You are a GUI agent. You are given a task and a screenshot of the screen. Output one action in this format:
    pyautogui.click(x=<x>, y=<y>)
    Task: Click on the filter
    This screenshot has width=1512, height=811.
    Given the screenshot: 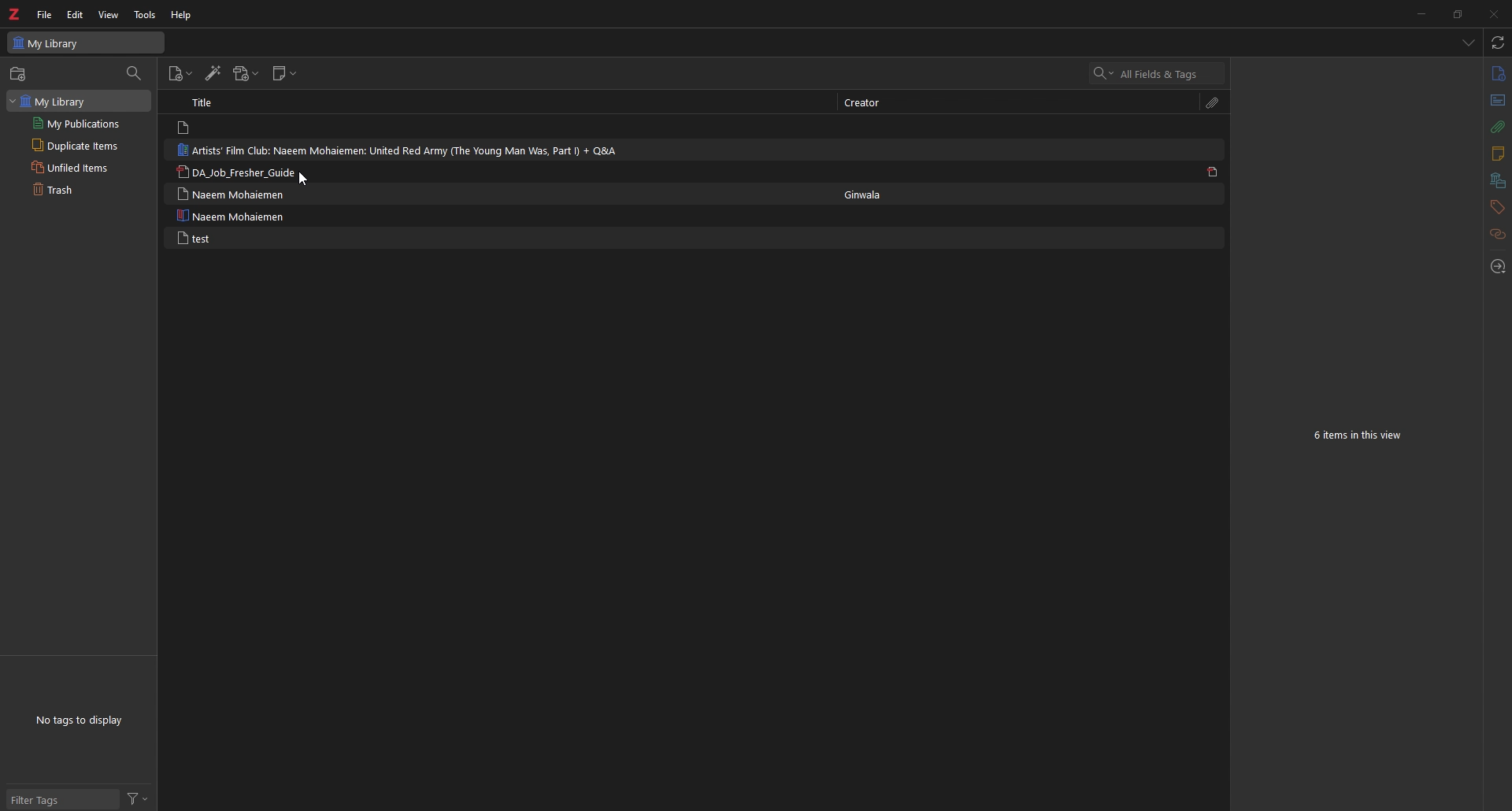 What is the action you would take?
    pyautogui.click(x=141, y=799)
    